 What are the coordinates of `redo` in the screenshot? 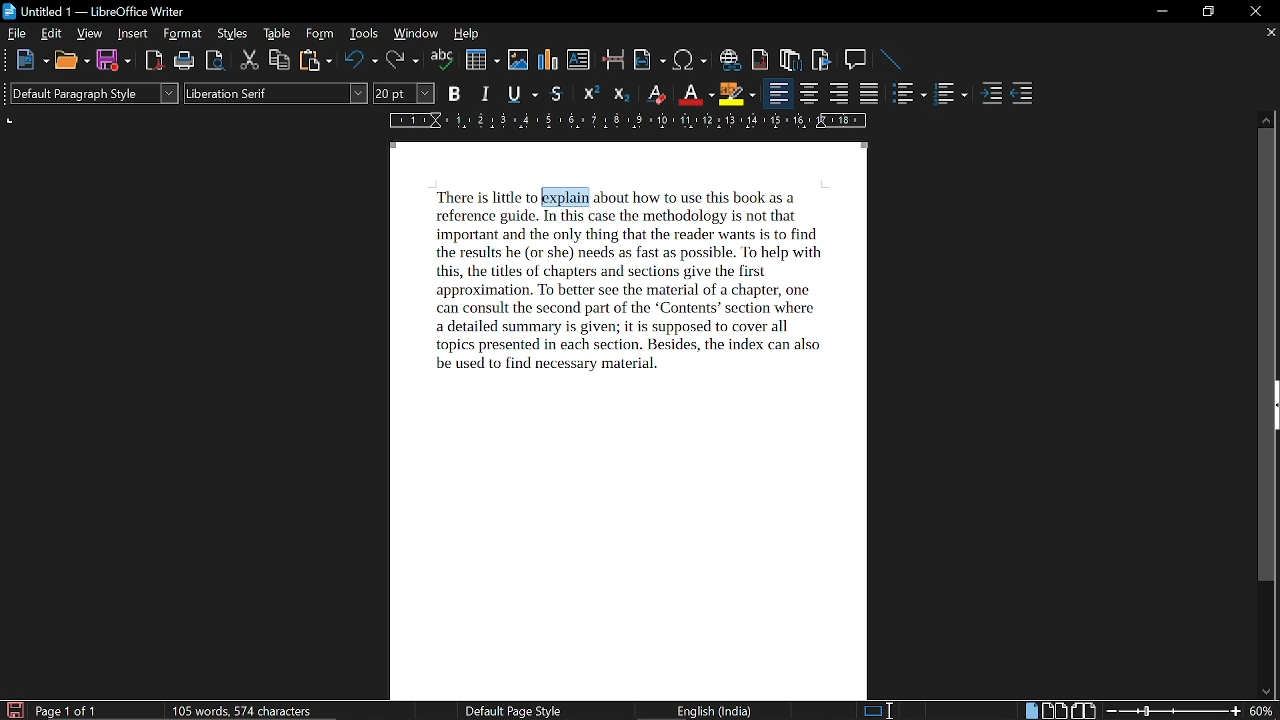 It's located at (402, 61).